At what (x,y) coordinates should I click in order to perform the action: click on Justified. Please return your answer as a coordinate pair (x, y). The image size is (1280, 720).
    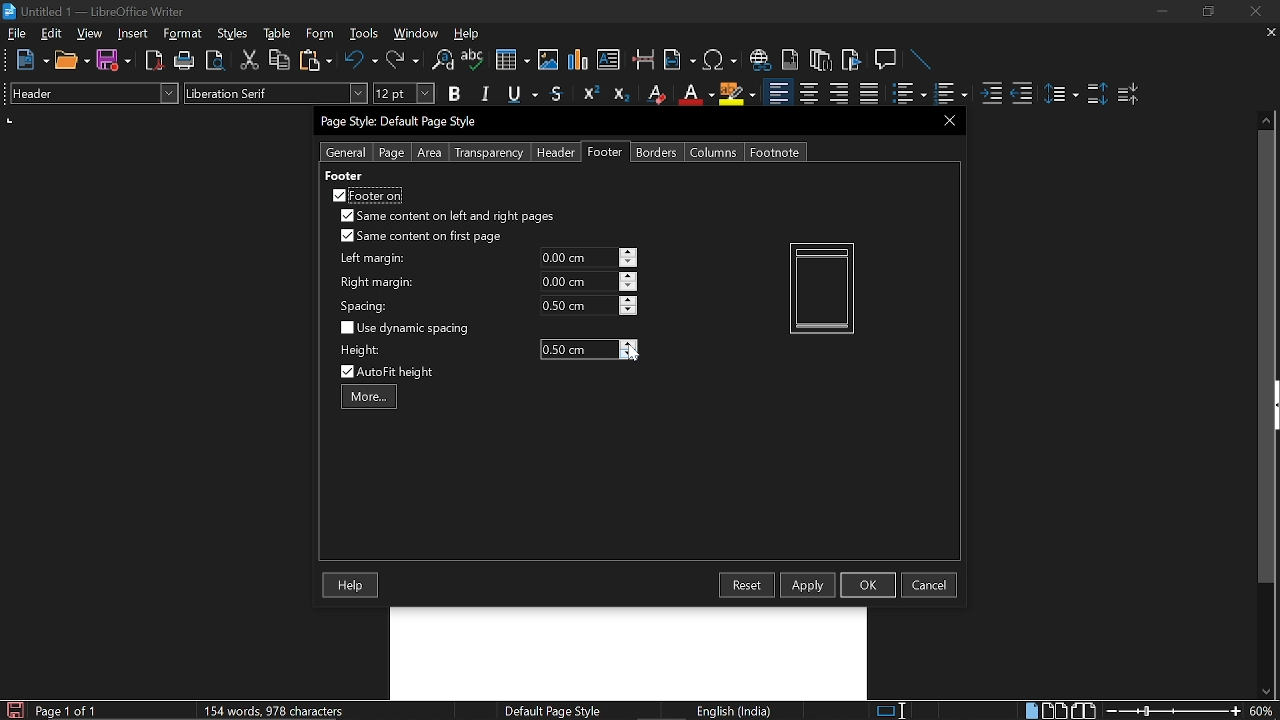
    Looking at the image, I should click on (870, 94).